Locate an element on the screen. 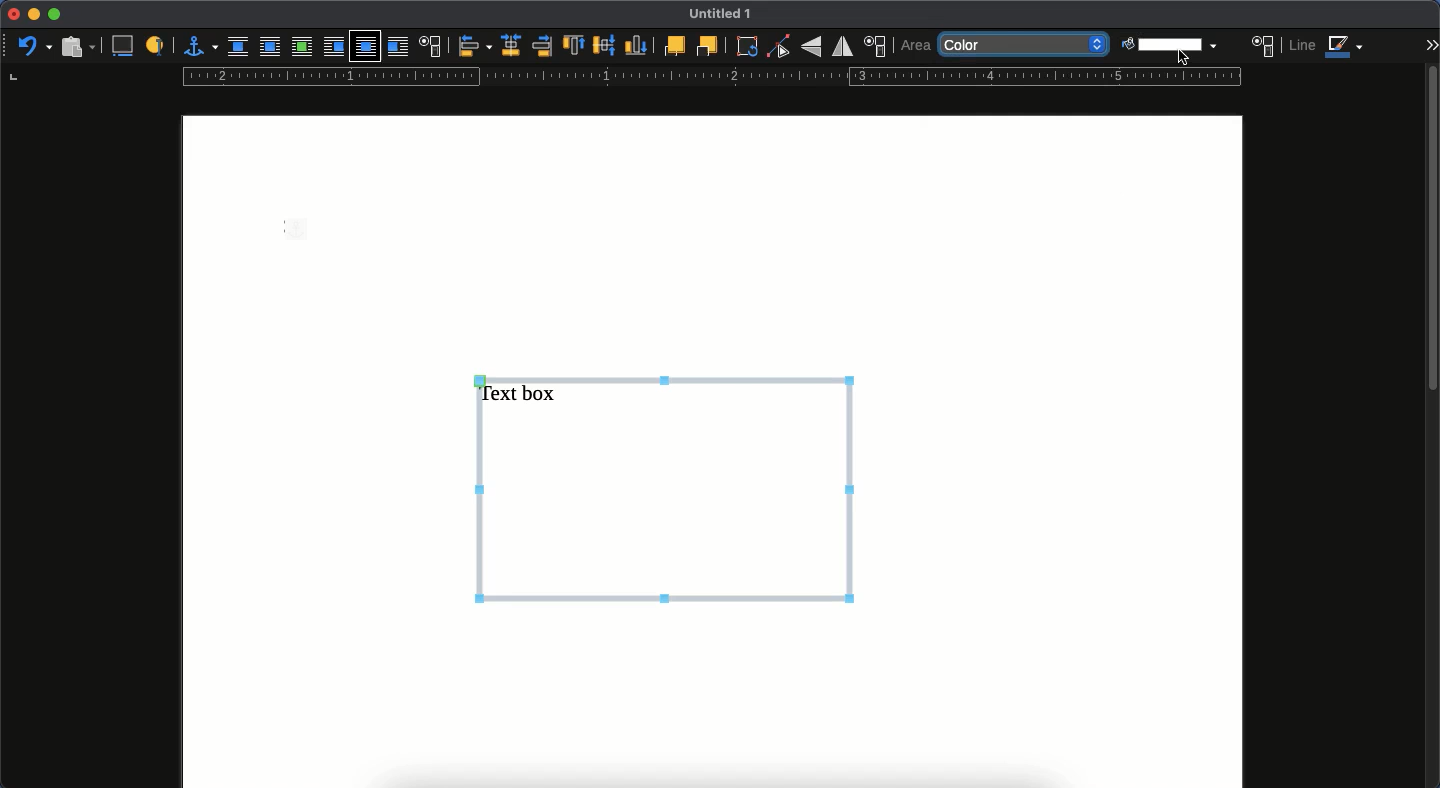 This screenshot has height=788, width=1440. minimize is located at coordinates (33, 15).